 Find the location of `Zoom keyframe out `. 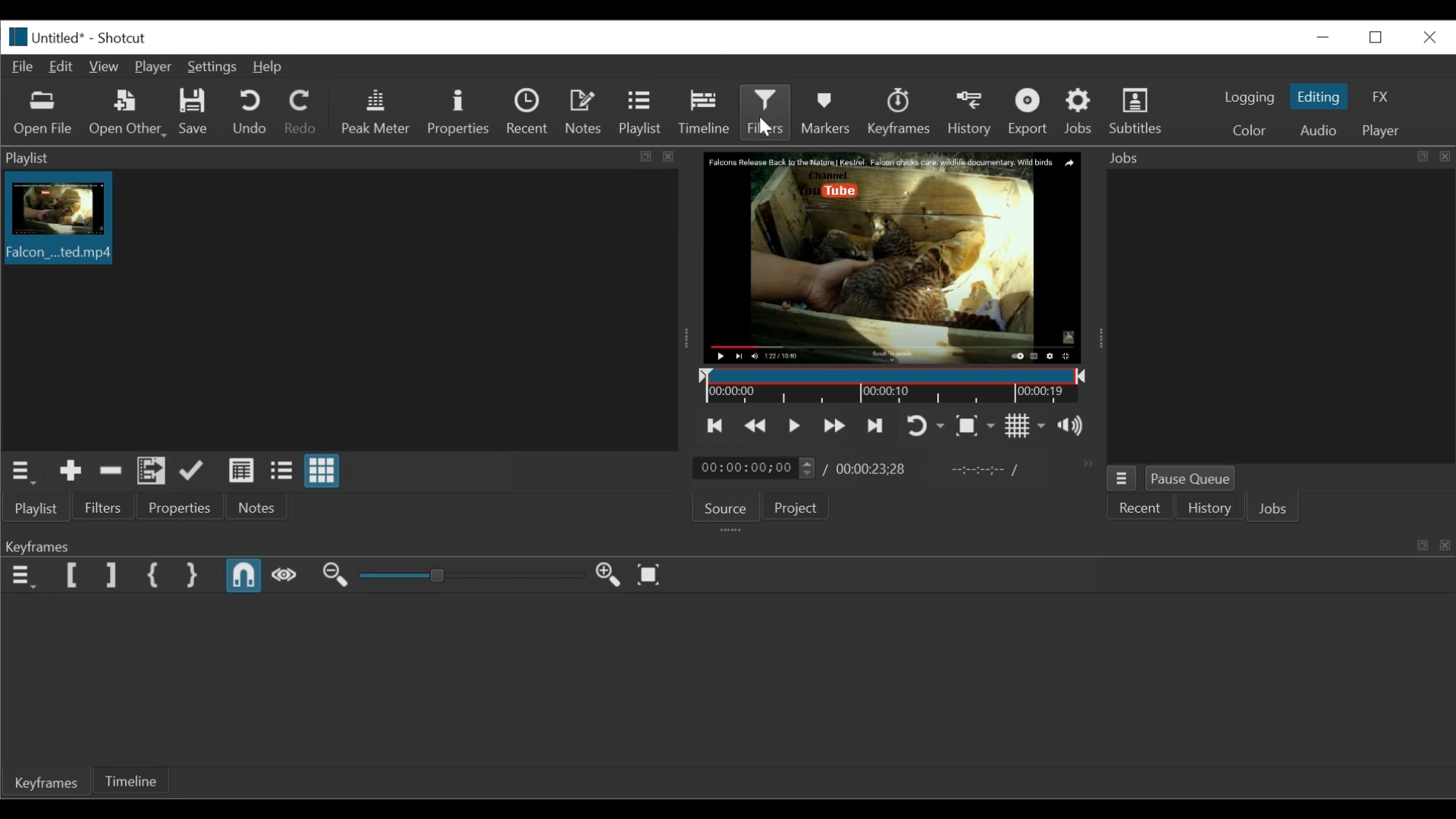

Zoom keyframe out  is located at coordinates (610, 576).